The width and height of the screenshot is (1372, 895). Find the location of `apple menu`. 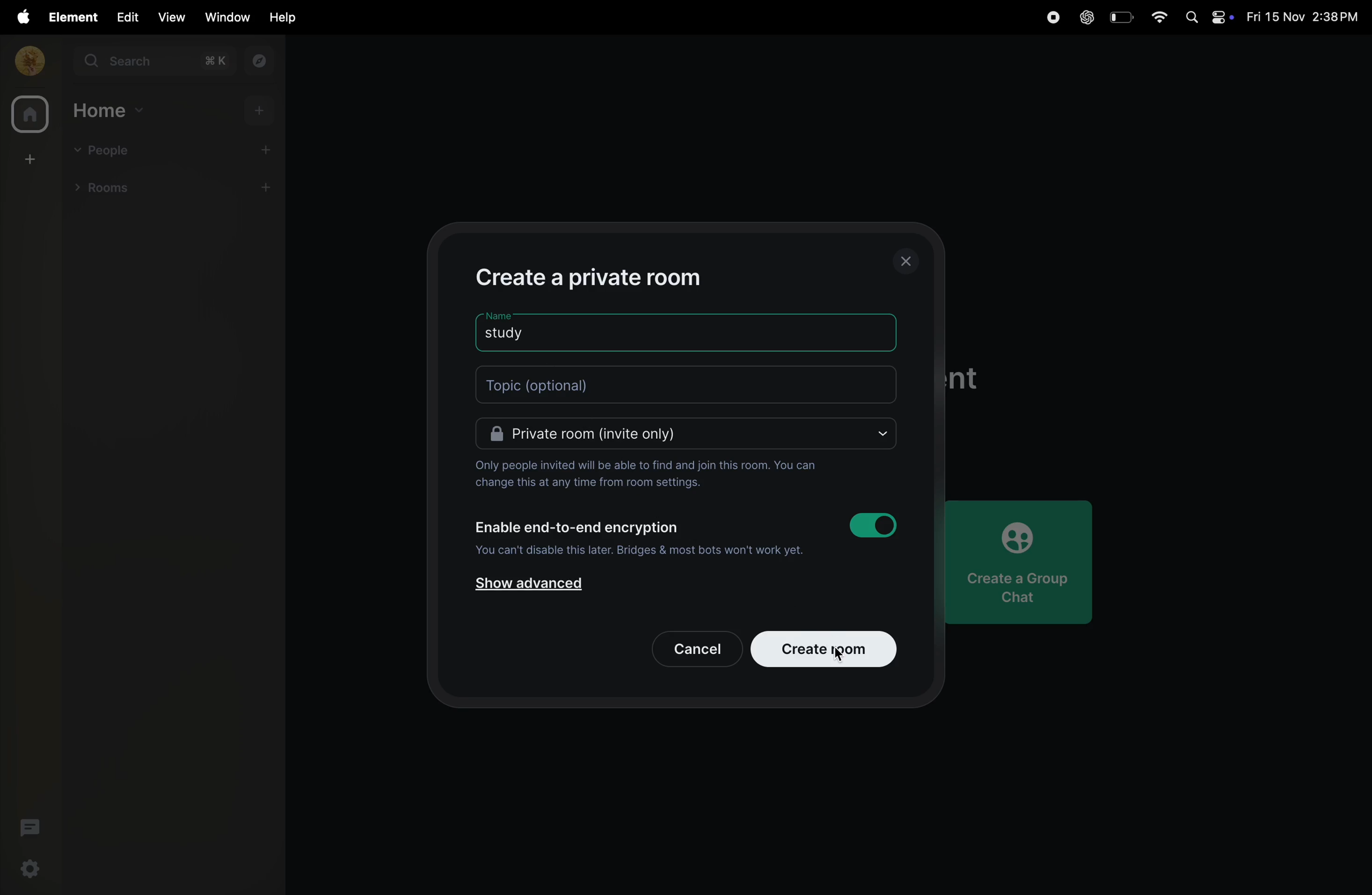

apple menu is located at coordinates (19, 17).